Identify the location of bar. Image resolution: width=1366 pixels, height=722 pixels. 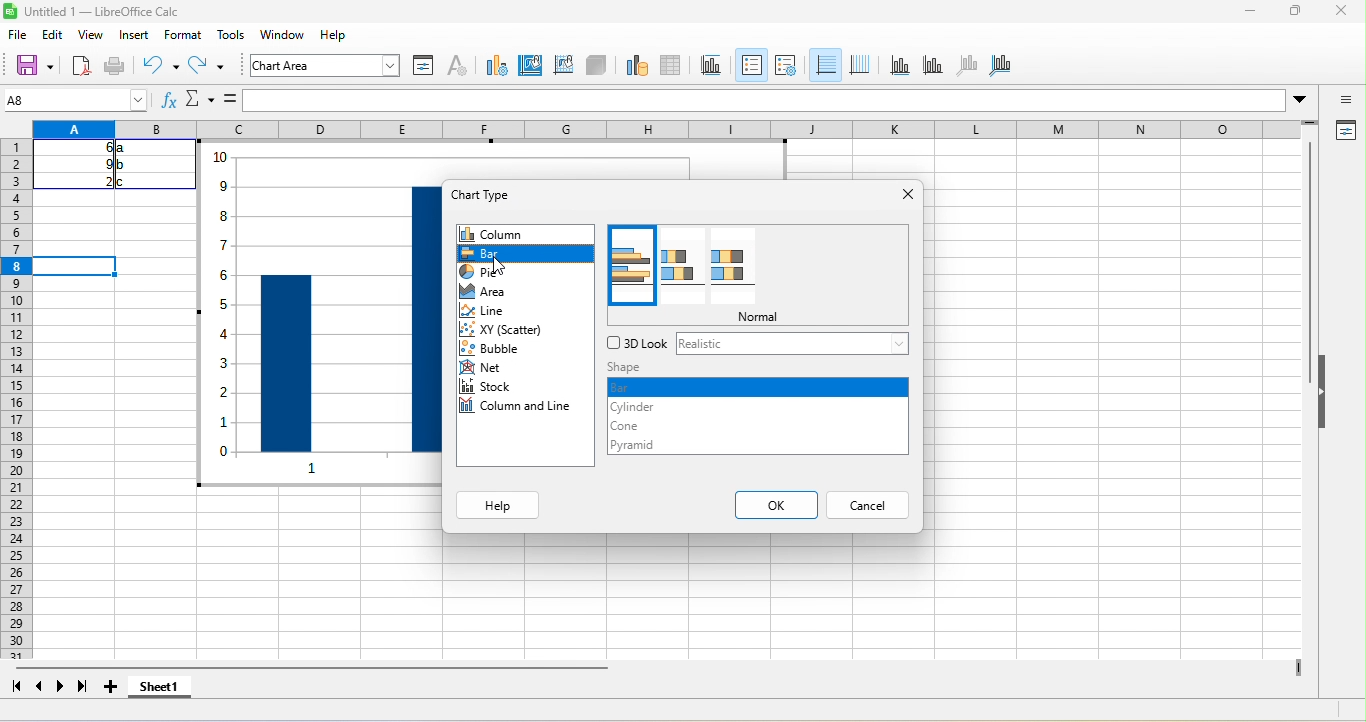
(756, 388).